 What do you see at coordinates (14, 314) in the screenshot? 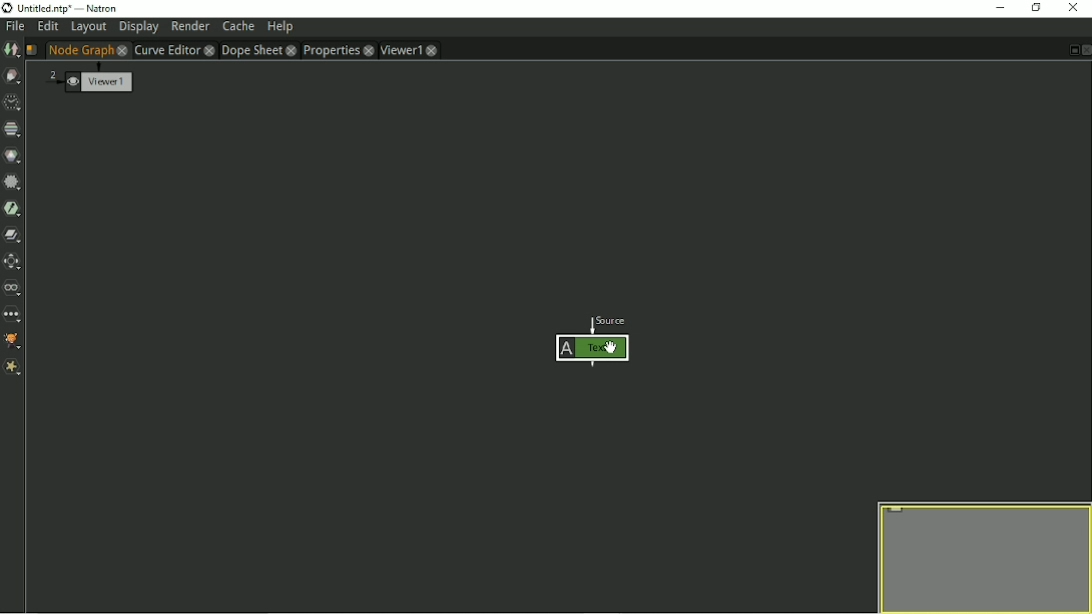
I see `Other` at bounding box center [14, 314].